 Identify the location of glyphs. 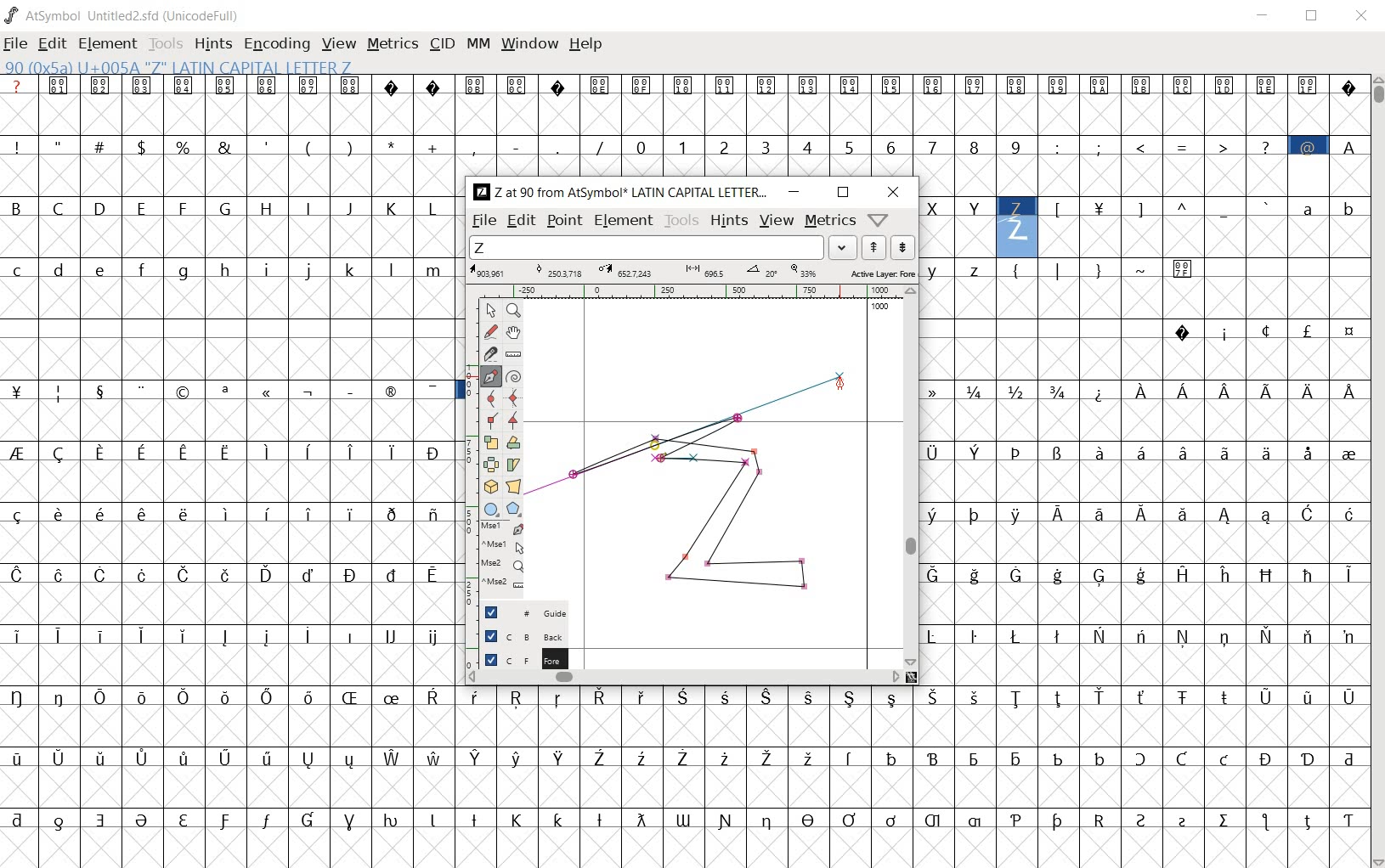
(229, 462).